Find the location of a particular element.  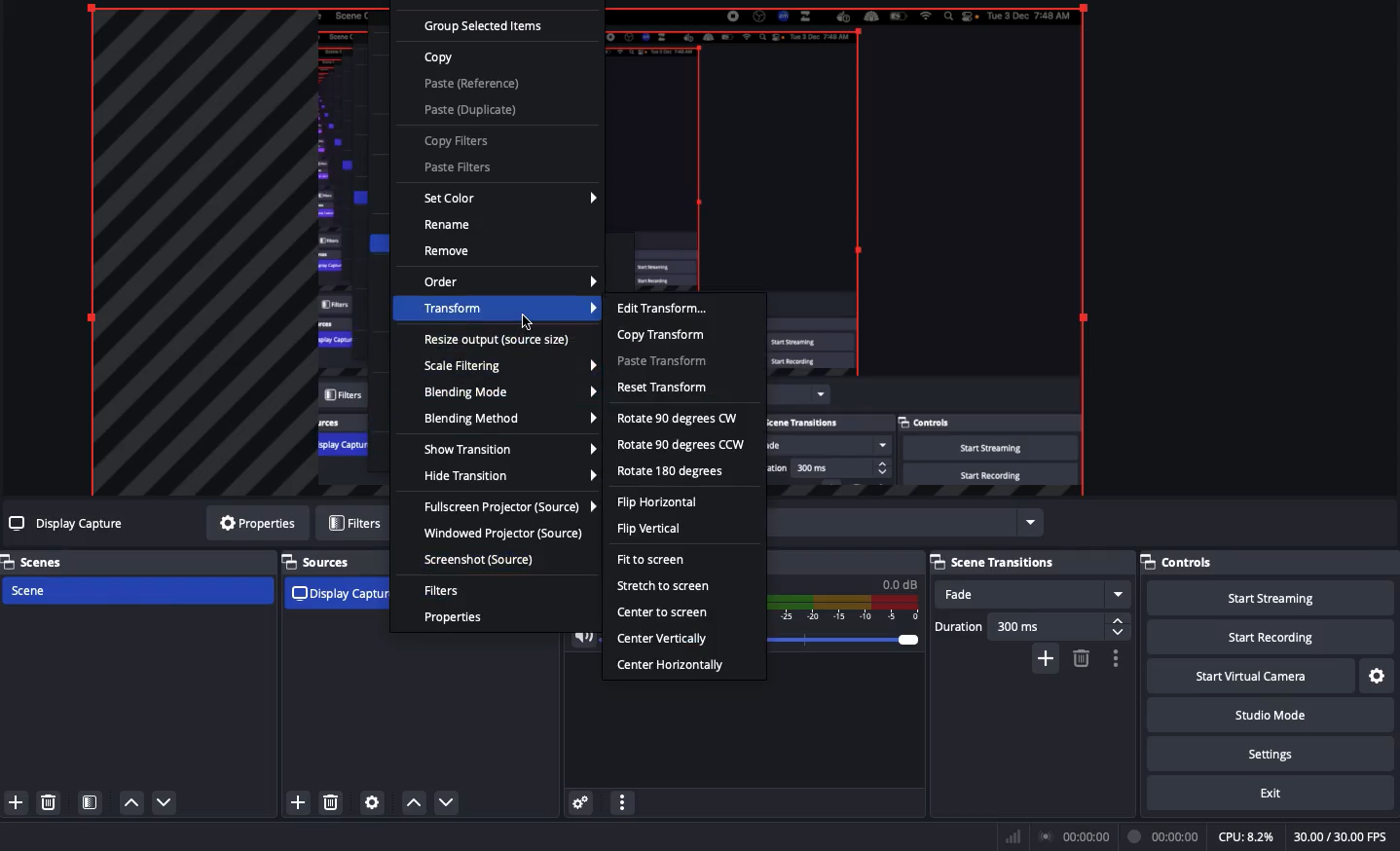

Transform is located at coordinates (503, 312).